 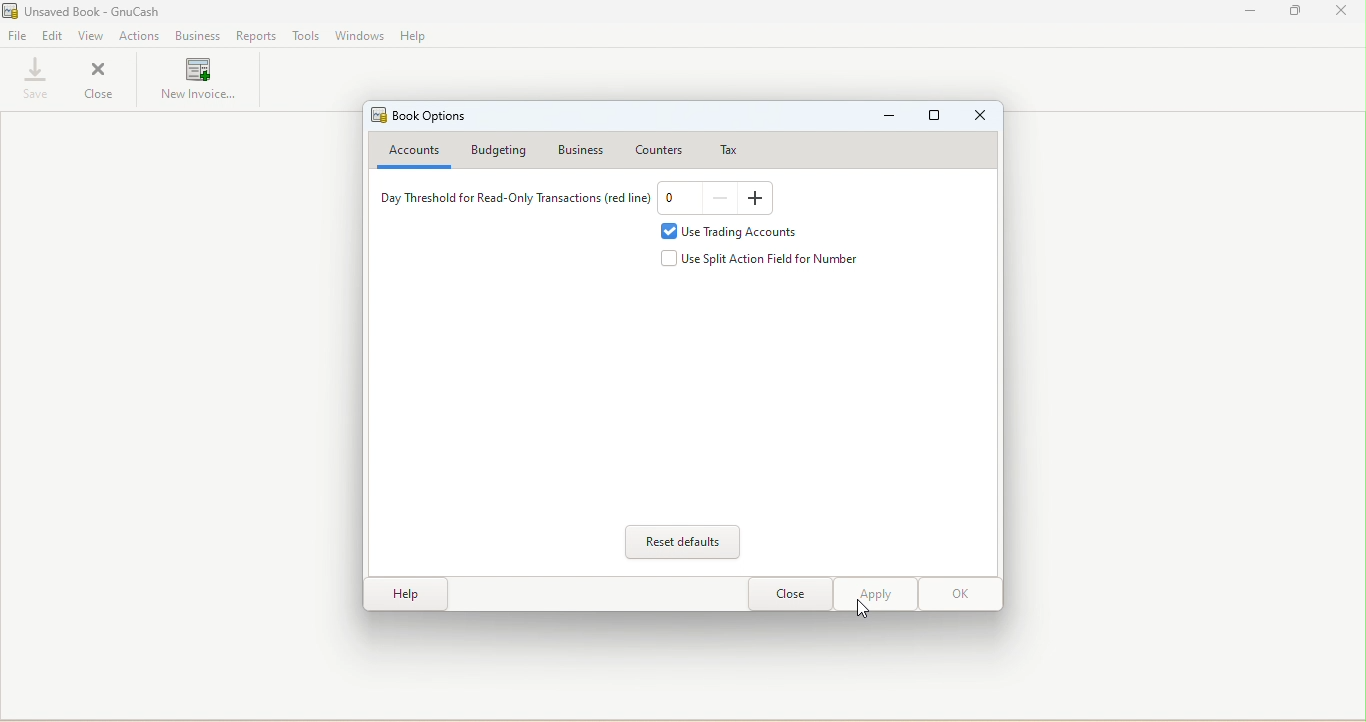 What do you see at coordinates (141, 36) in the screenshot?
I see `Actions` at bounding box center [141, 36].